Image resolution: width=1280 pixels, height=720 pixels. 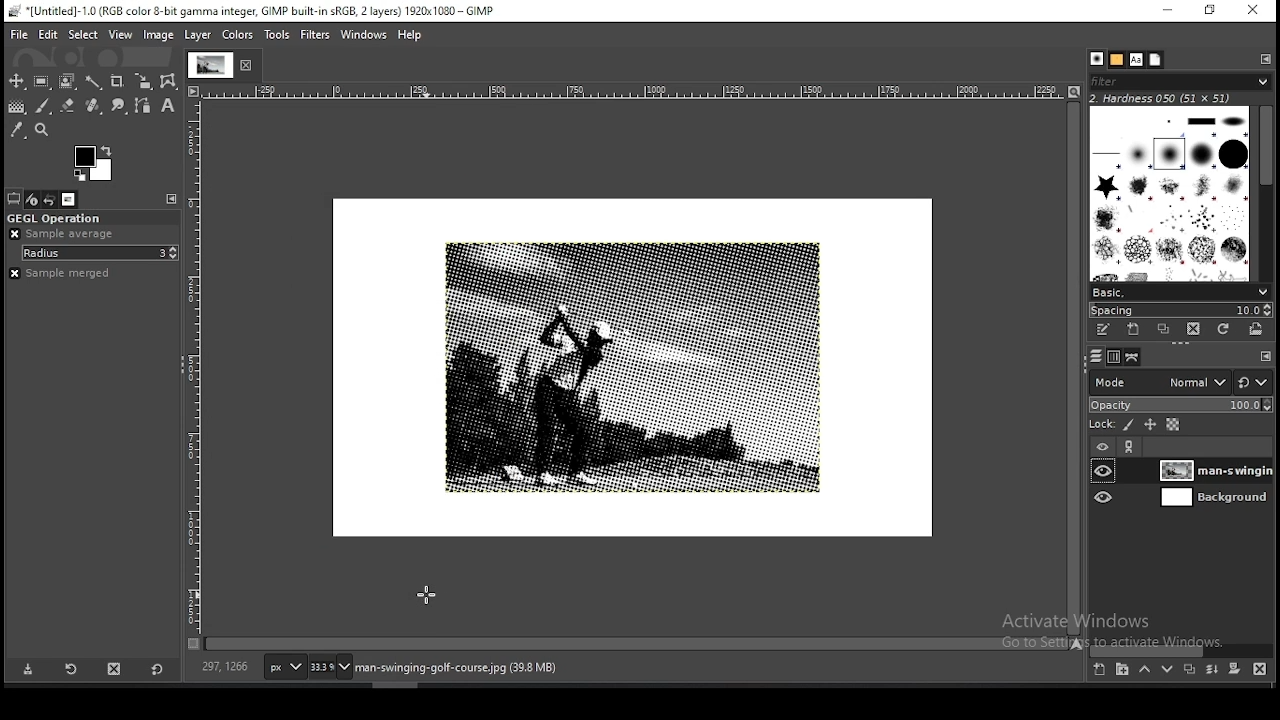 What do you see at coordinates (635, 92) in the screenshot?
I see `scale (horizontal)` at bounding box center [635, 92].